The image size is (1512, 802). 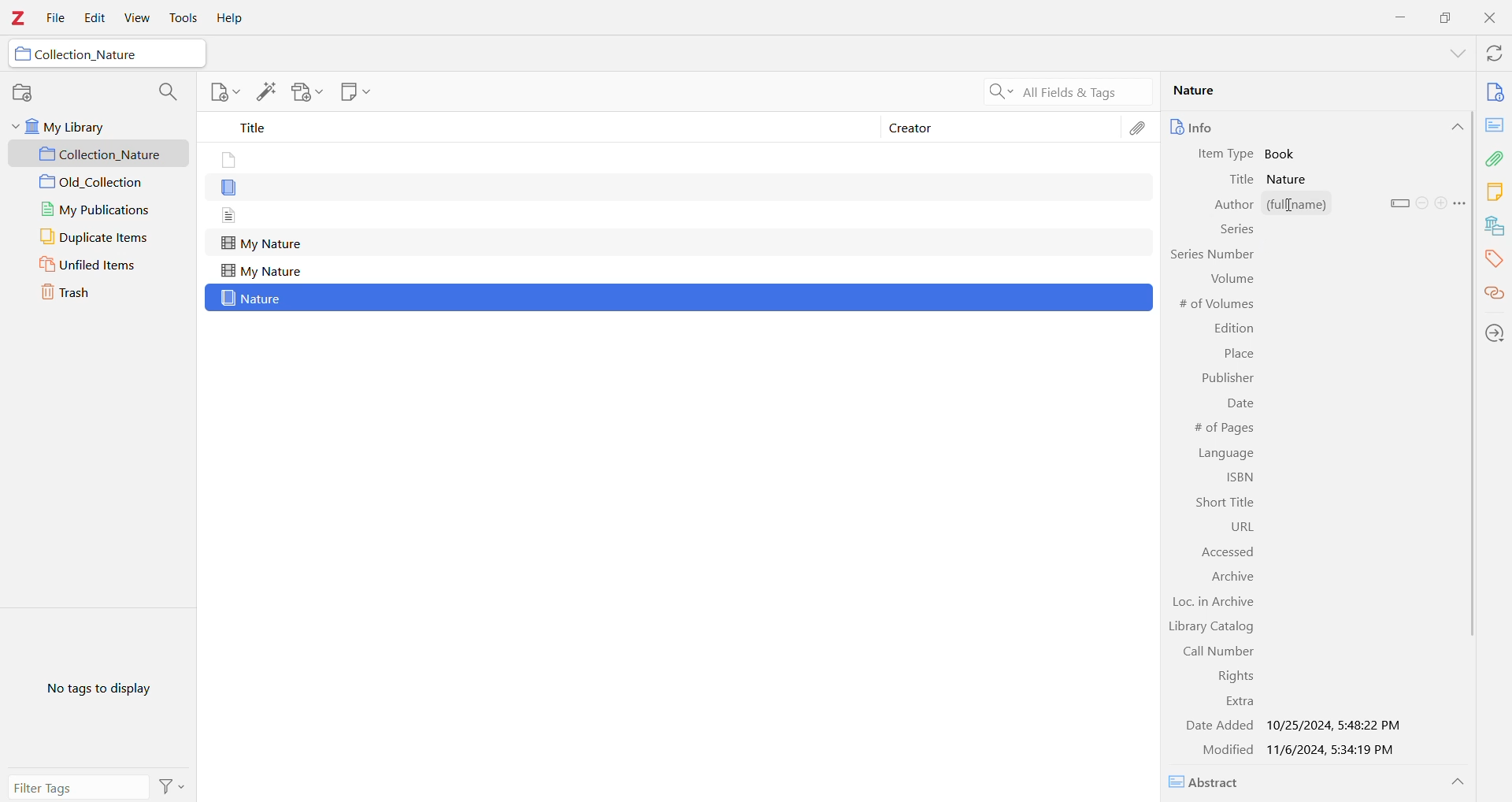 I want to click on Actions, so click(x=172, y=786).